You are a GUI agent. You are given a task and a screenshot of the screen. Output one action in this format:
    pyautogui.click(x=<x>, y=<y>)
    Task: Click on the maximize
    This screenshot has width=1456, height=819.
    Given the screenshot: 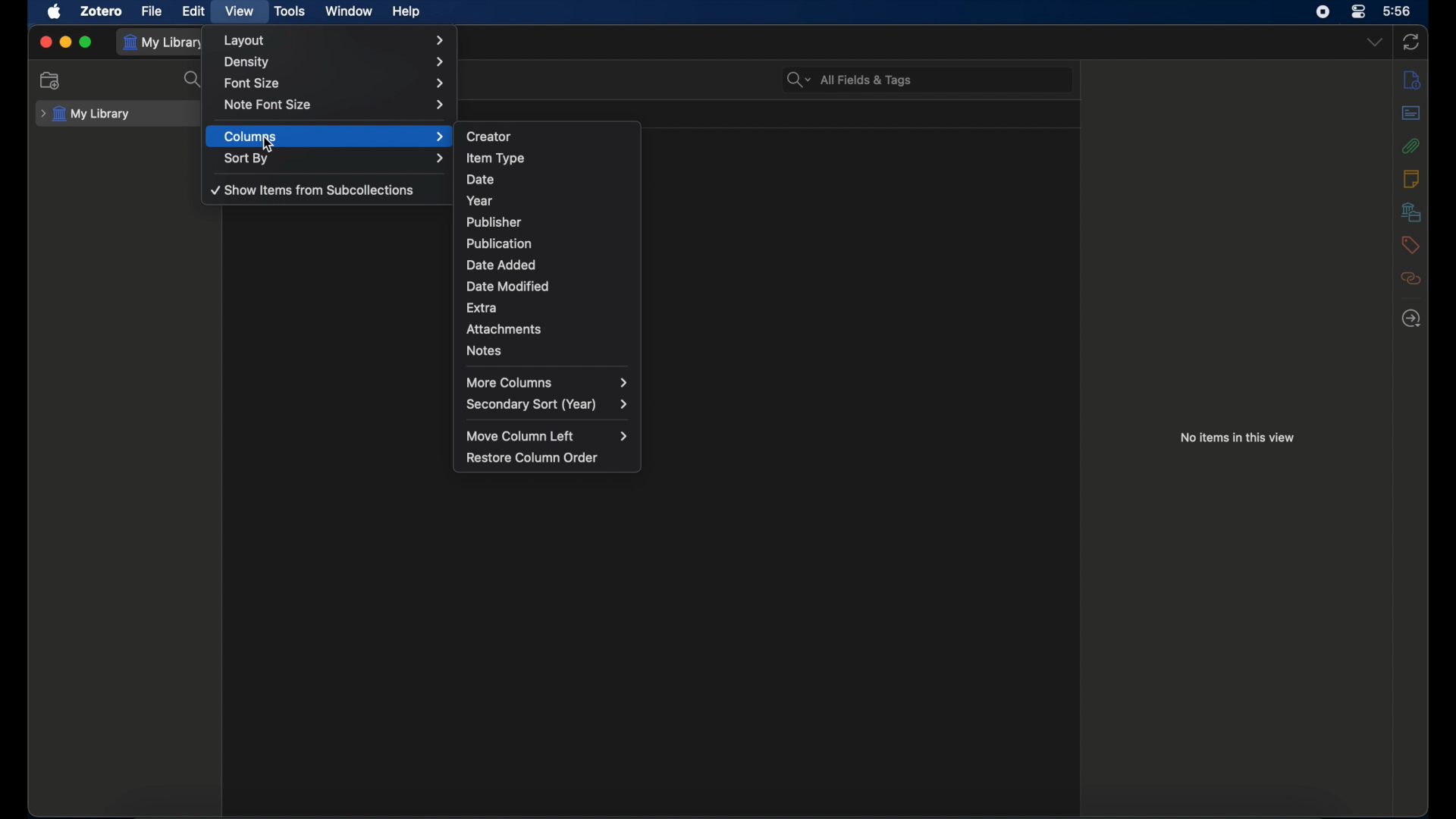 What is the action you would take?
    pyautogui.click(x=86, y=42)
    